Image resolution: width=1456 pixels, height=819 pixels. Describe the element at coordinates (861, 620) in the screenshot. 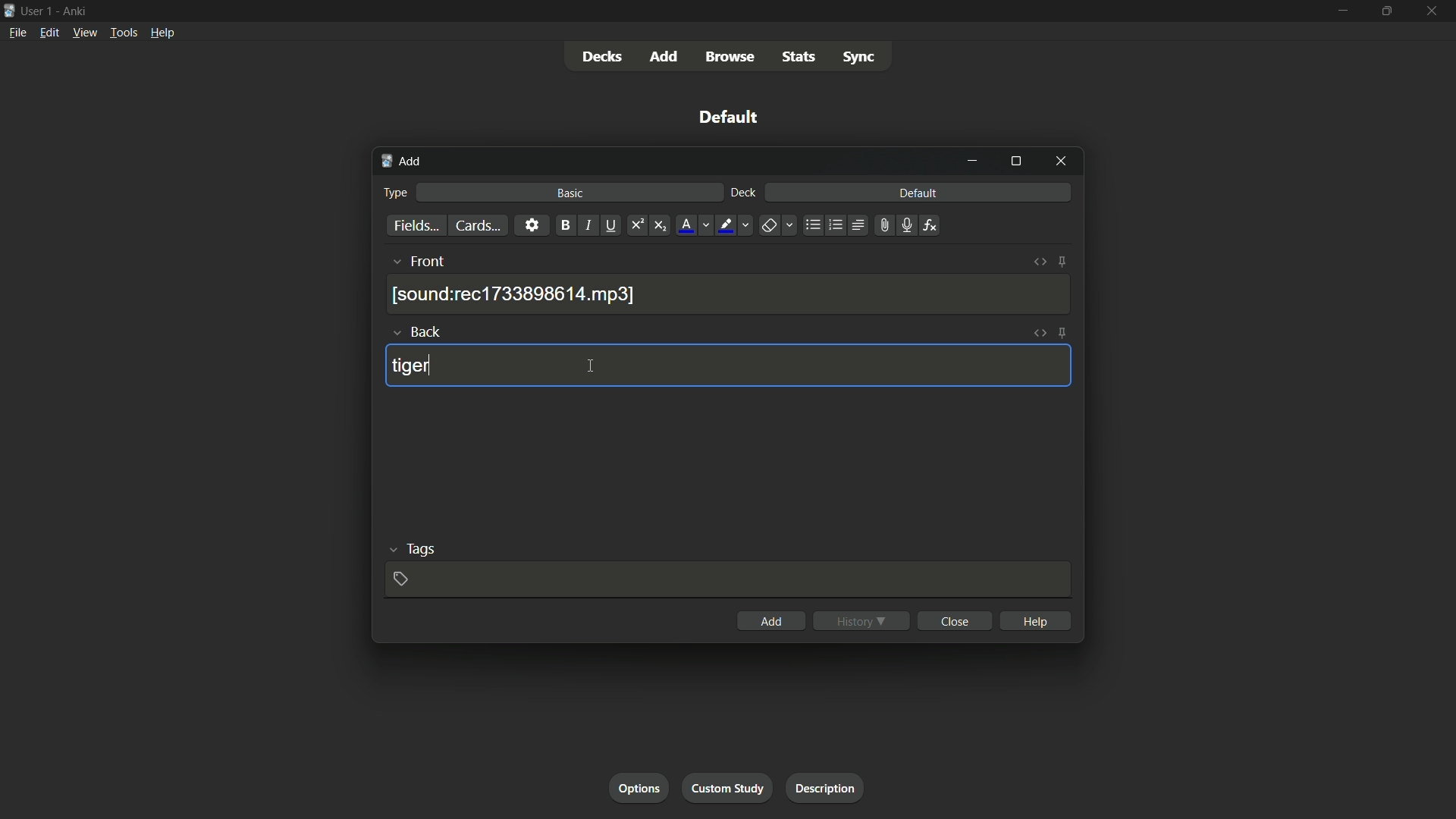

I see `history` at that location.